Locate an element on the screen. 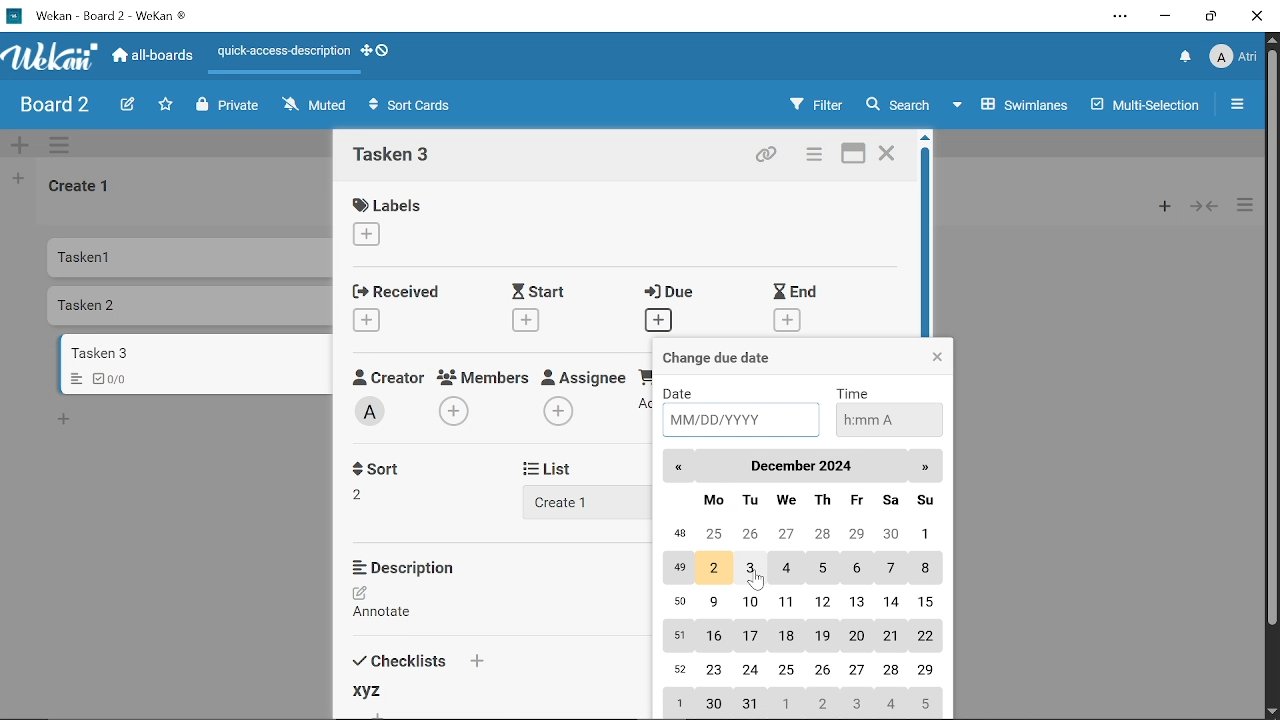 The width and height of the screenshot is (1280, 720). previous month is located at coordinates (679, 469).